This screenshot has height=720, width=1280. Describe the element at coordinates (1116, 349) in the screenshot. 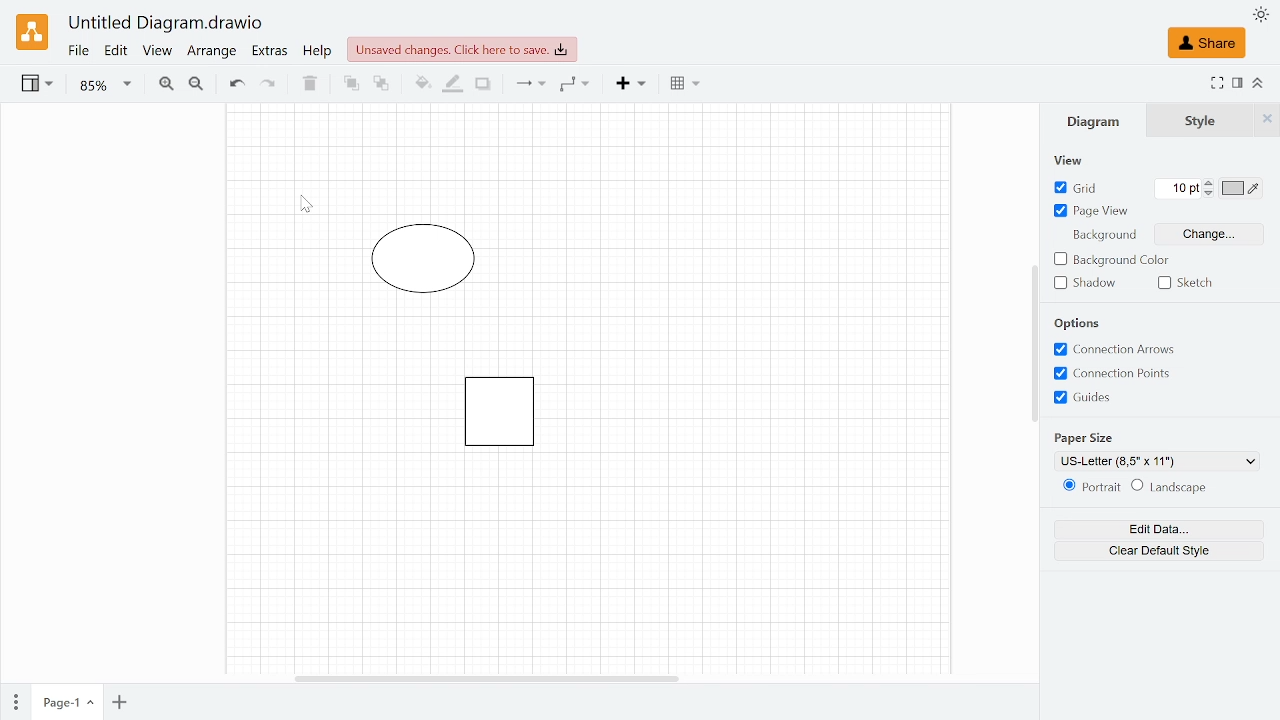

I see `Connection Arrows` at that location.